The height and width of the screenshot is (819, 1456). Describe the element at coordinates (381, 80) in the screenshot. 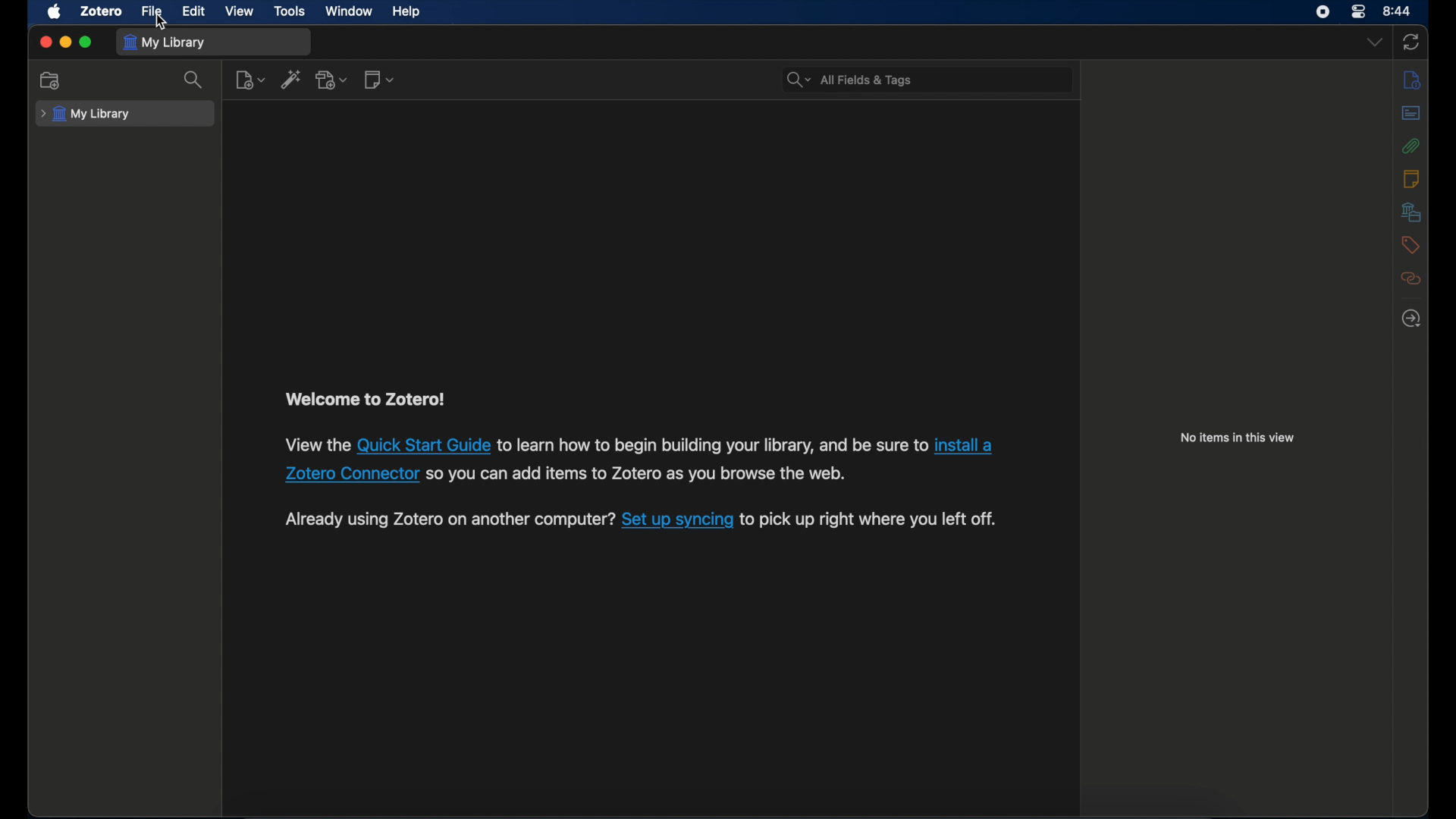

I see `new note` at that location.